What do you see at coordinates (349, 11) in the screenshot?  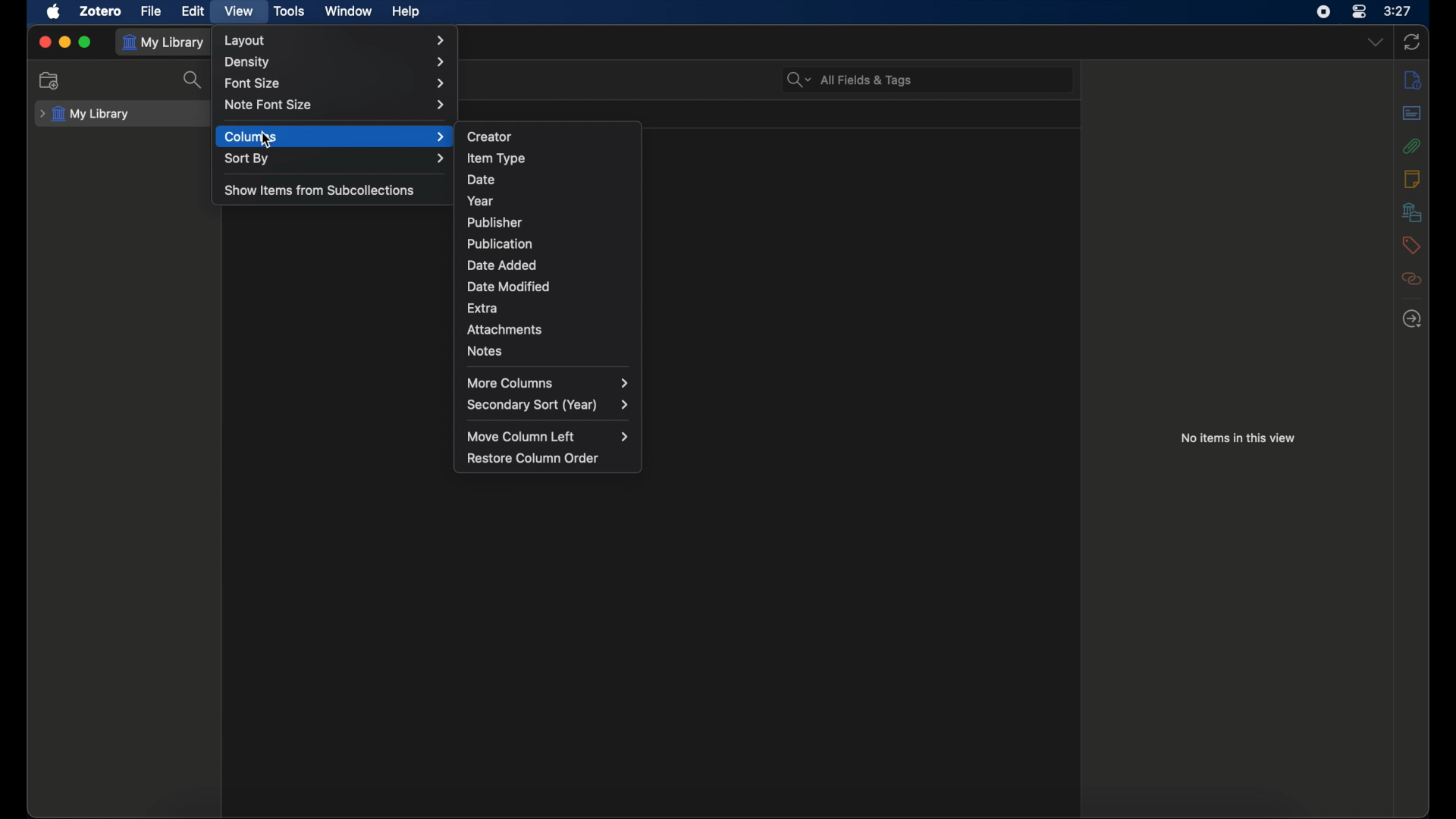 I see `window` at bounding box center [349, 11].